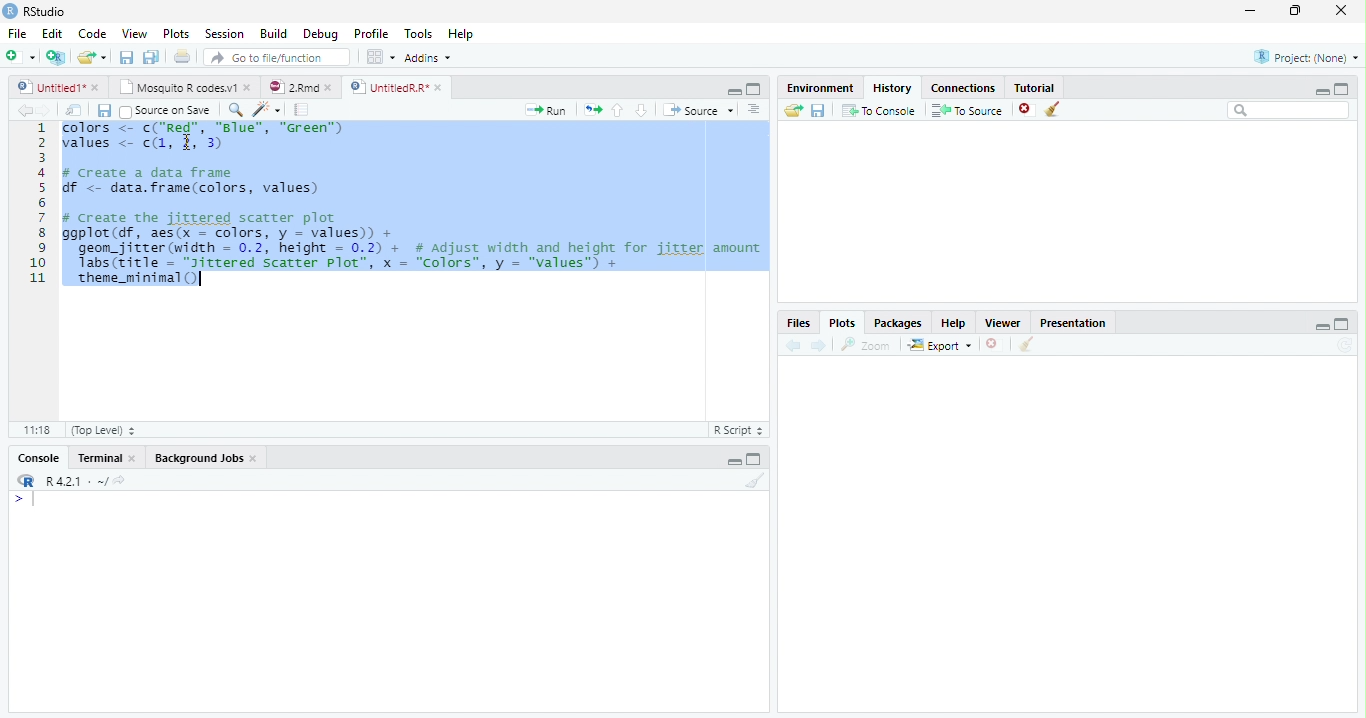 The width and height of the screenshot is (1366, 718). I want to click on Clear all history entries, so click(1055, 109).